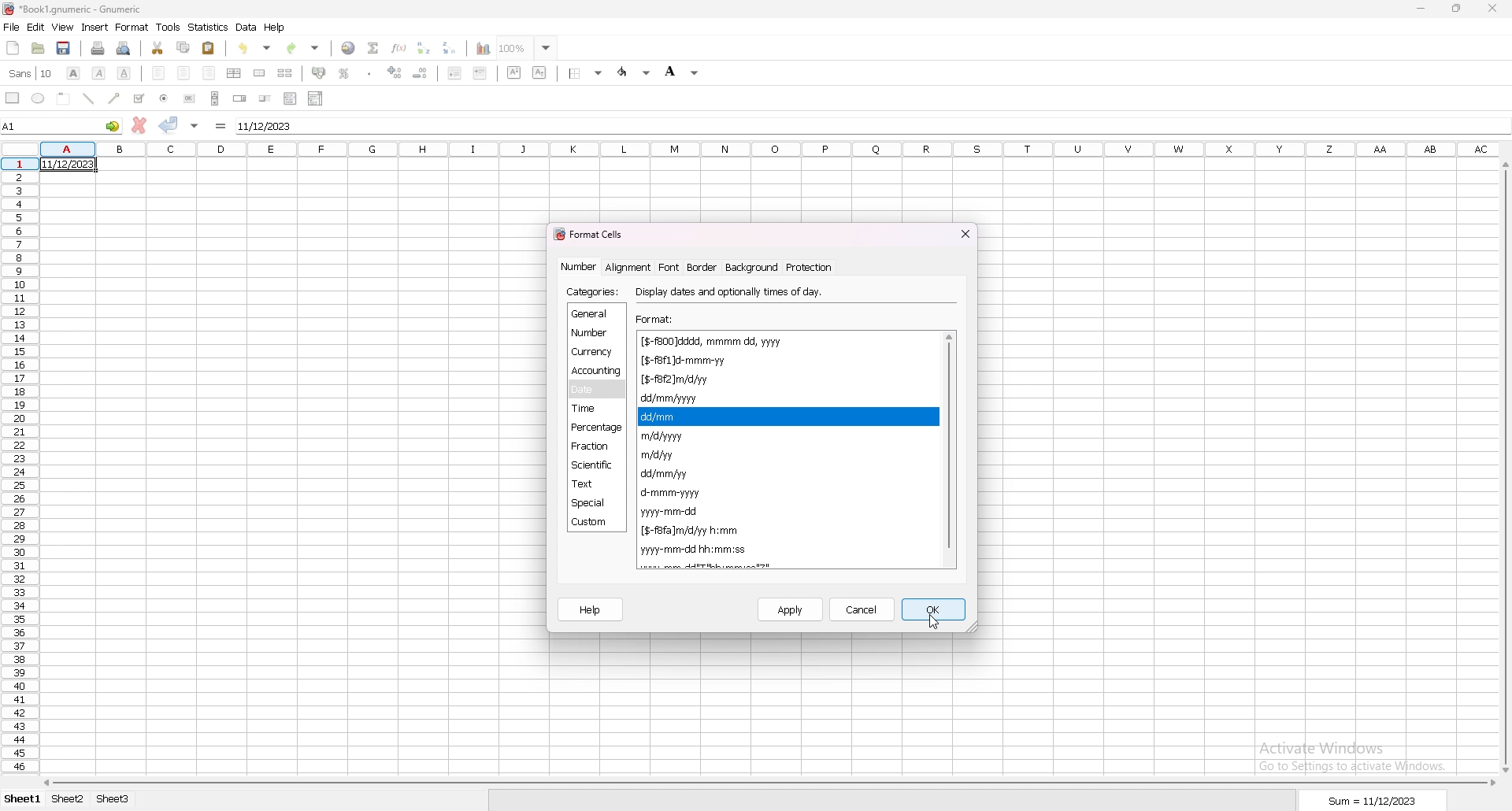 Image resolution: width=1512 pixels, height=811 pixels. Describe the element at coordinates (74, 10) in the screenshot. I see `file name` at that location.